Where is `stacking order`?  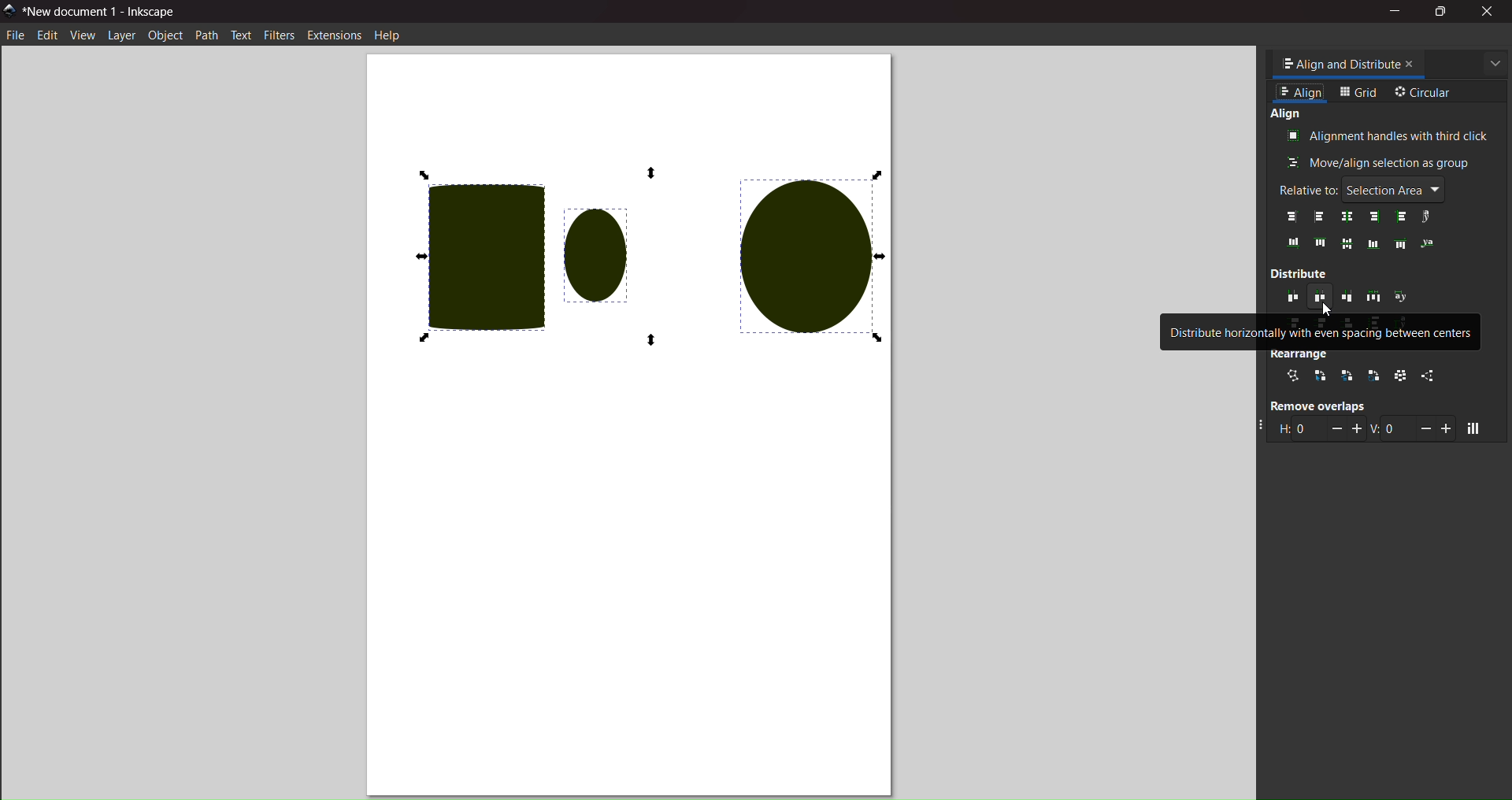
stacking order is located at coordinates (1347, 376).